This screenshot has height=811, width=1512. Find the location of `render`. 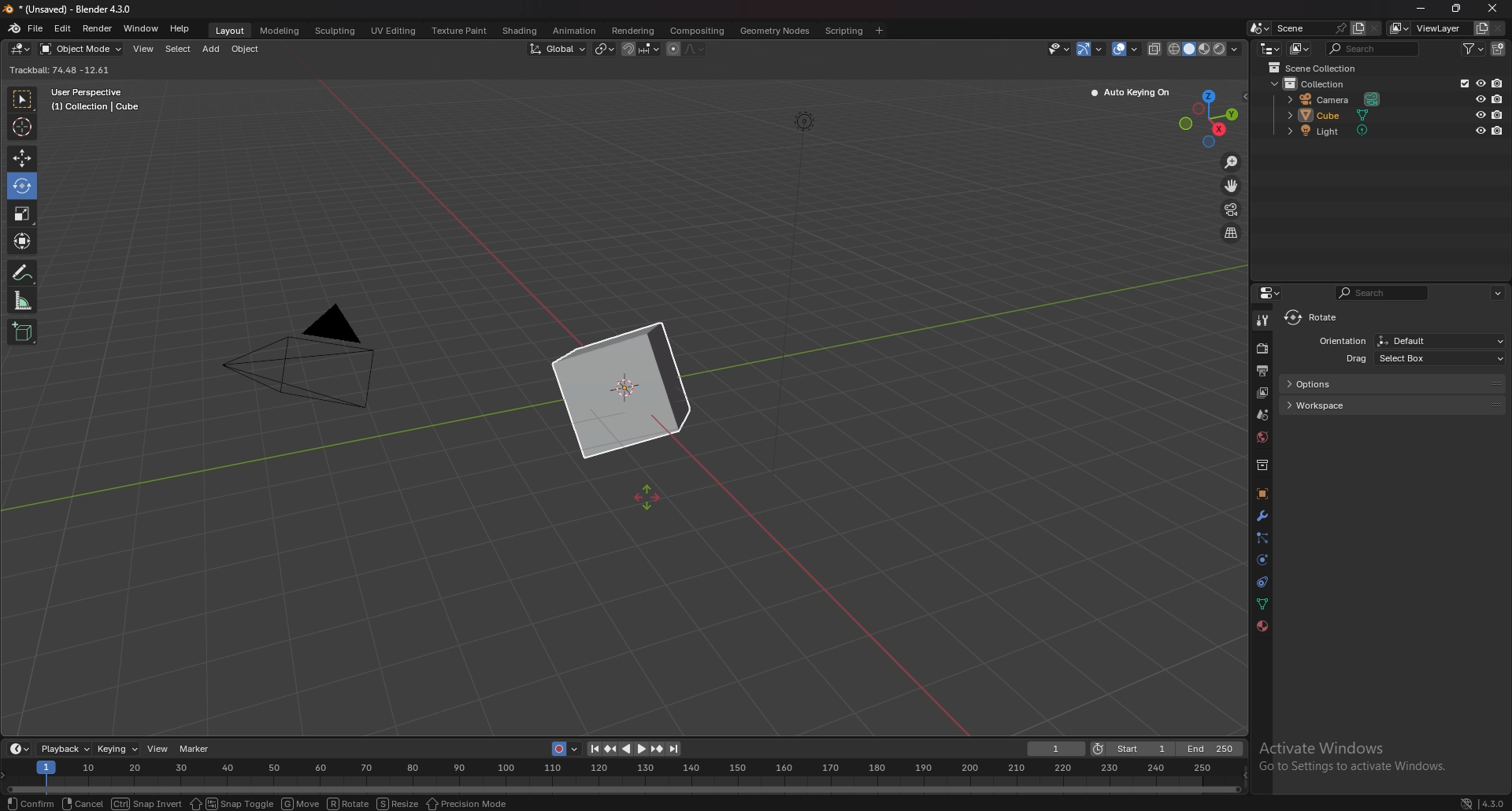

render is located at coordinates (1263, 348).